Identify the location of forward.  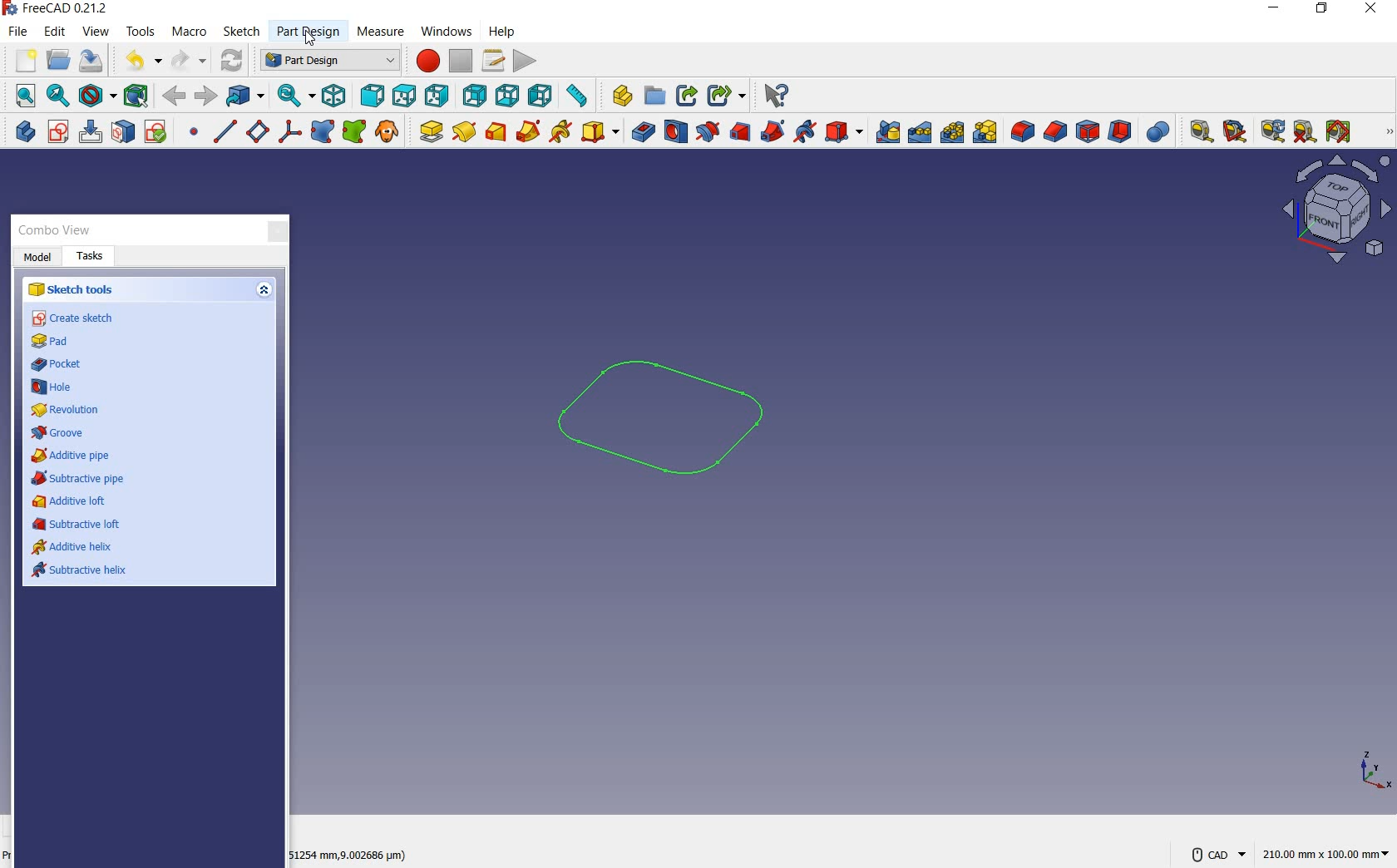
(175, 95).